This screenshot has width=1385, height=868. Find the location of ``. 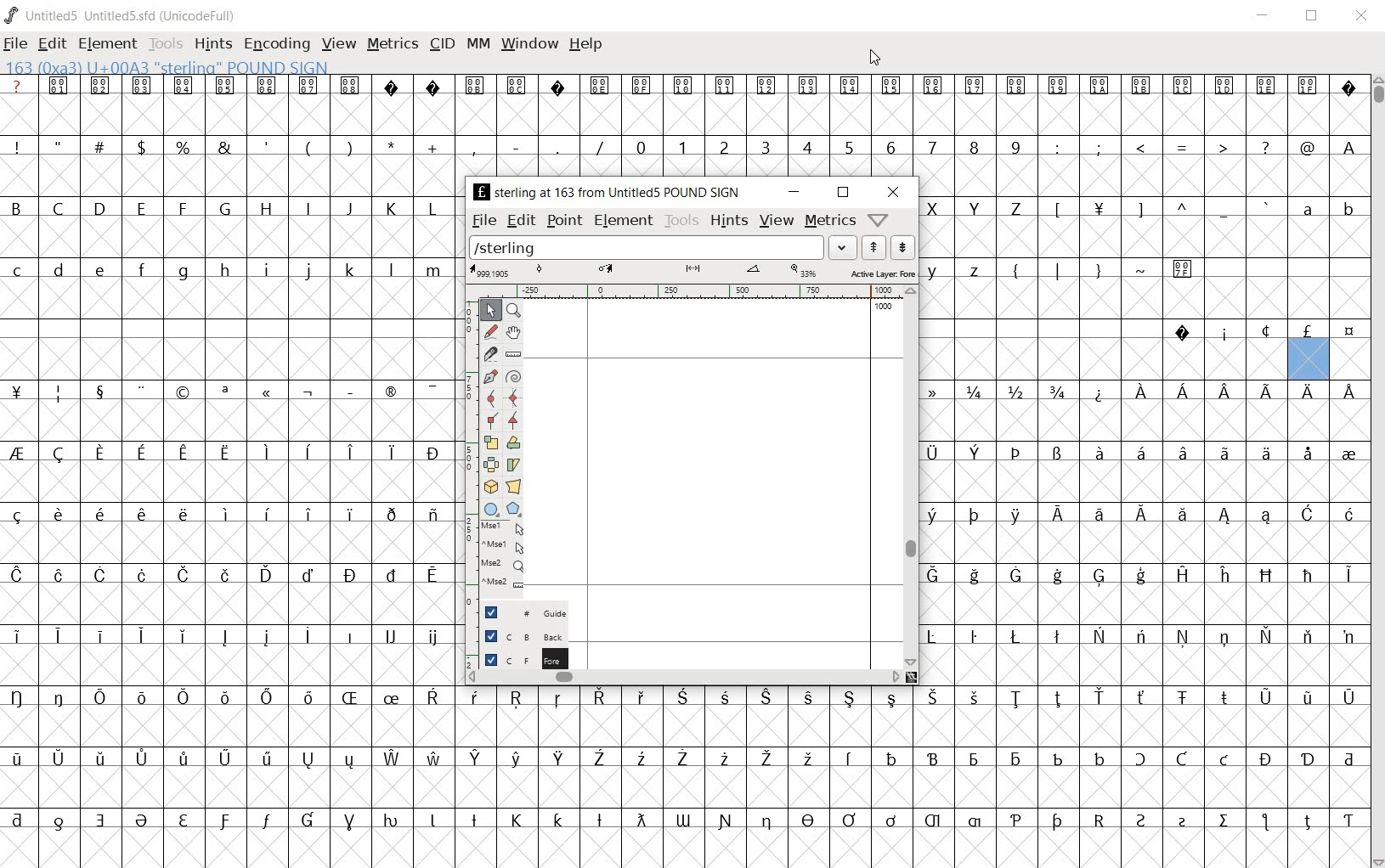

 is located at coordinates (266, 513).